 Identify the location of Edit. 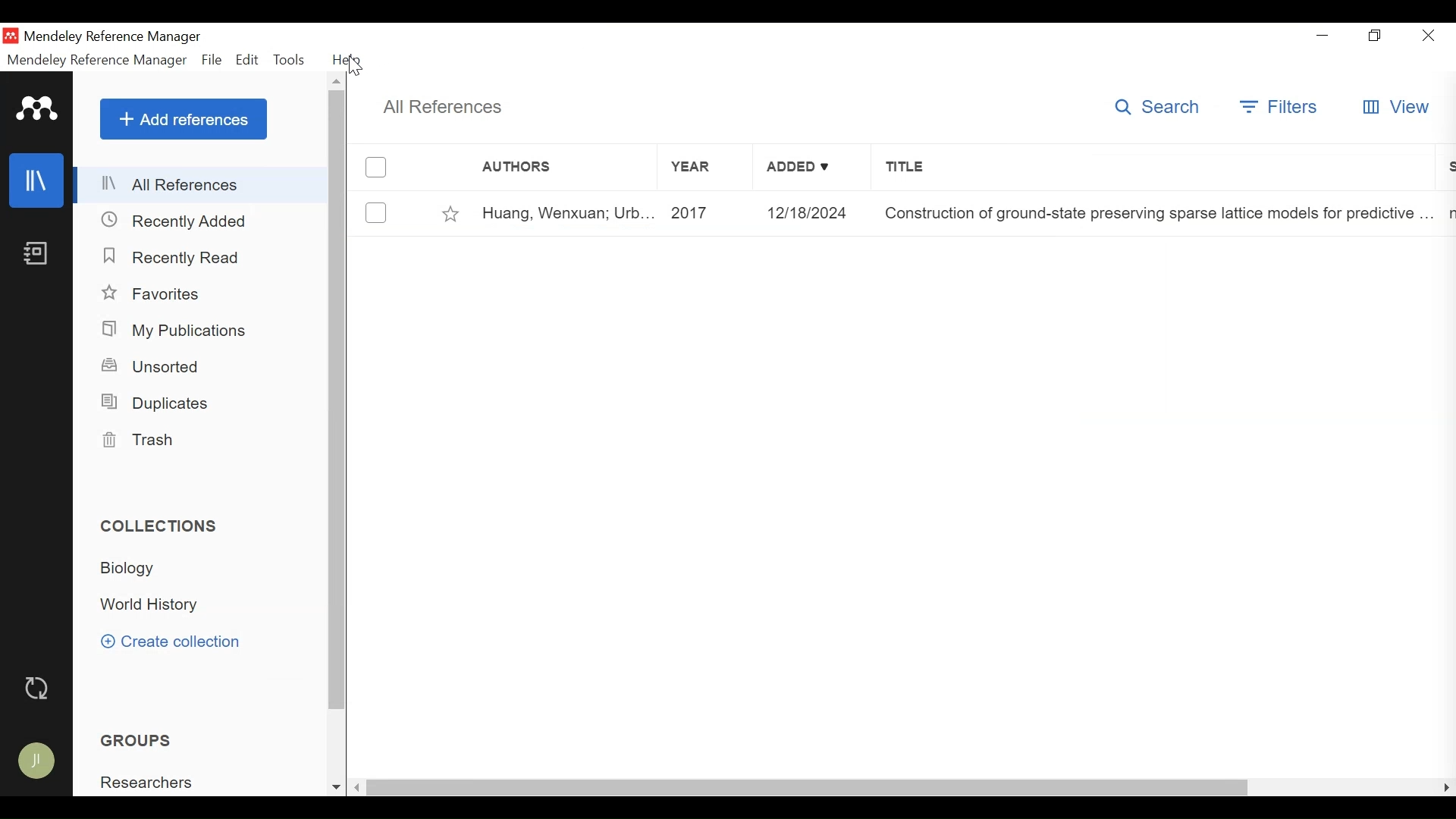
(252, 61).